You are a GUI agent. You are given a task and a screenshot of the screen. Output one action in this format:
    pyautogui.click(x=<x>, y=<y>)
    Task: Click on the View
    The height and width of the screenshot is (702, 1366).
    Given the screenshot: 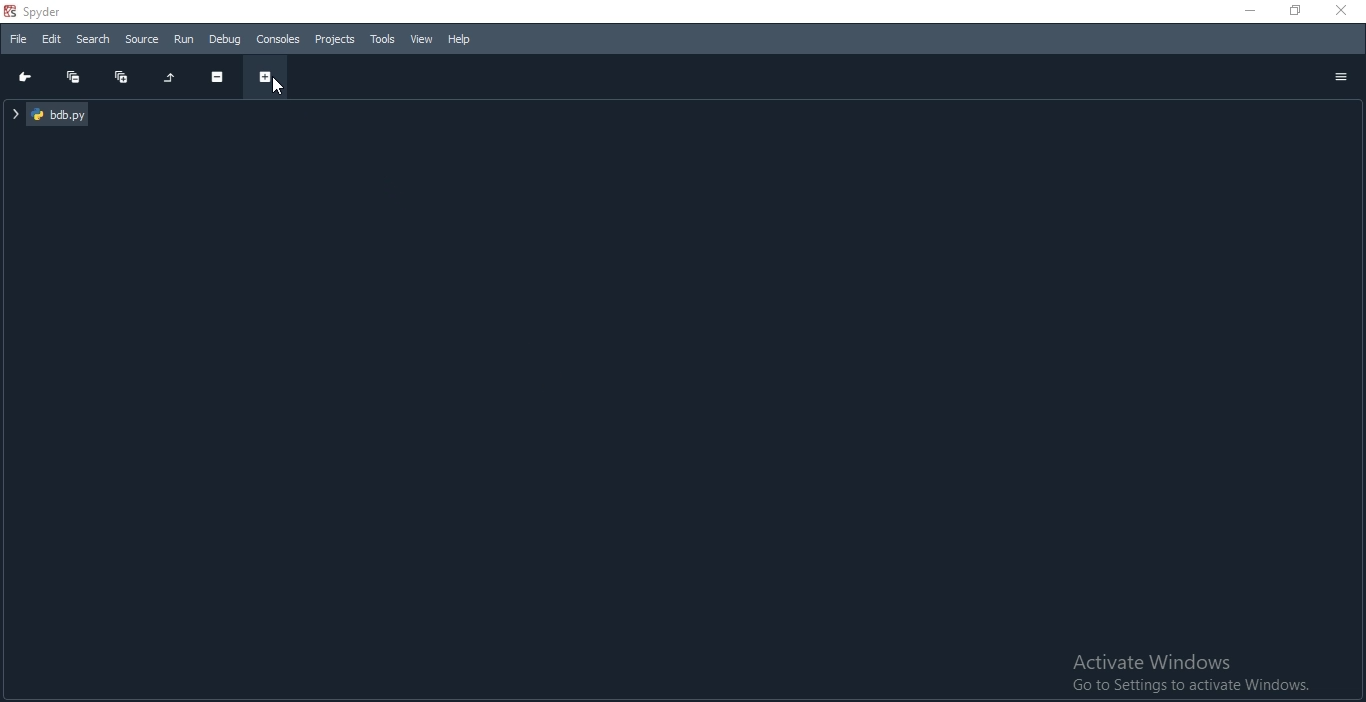 What is the action you would take?
    pyautogui.click(x=423, y=40)
    